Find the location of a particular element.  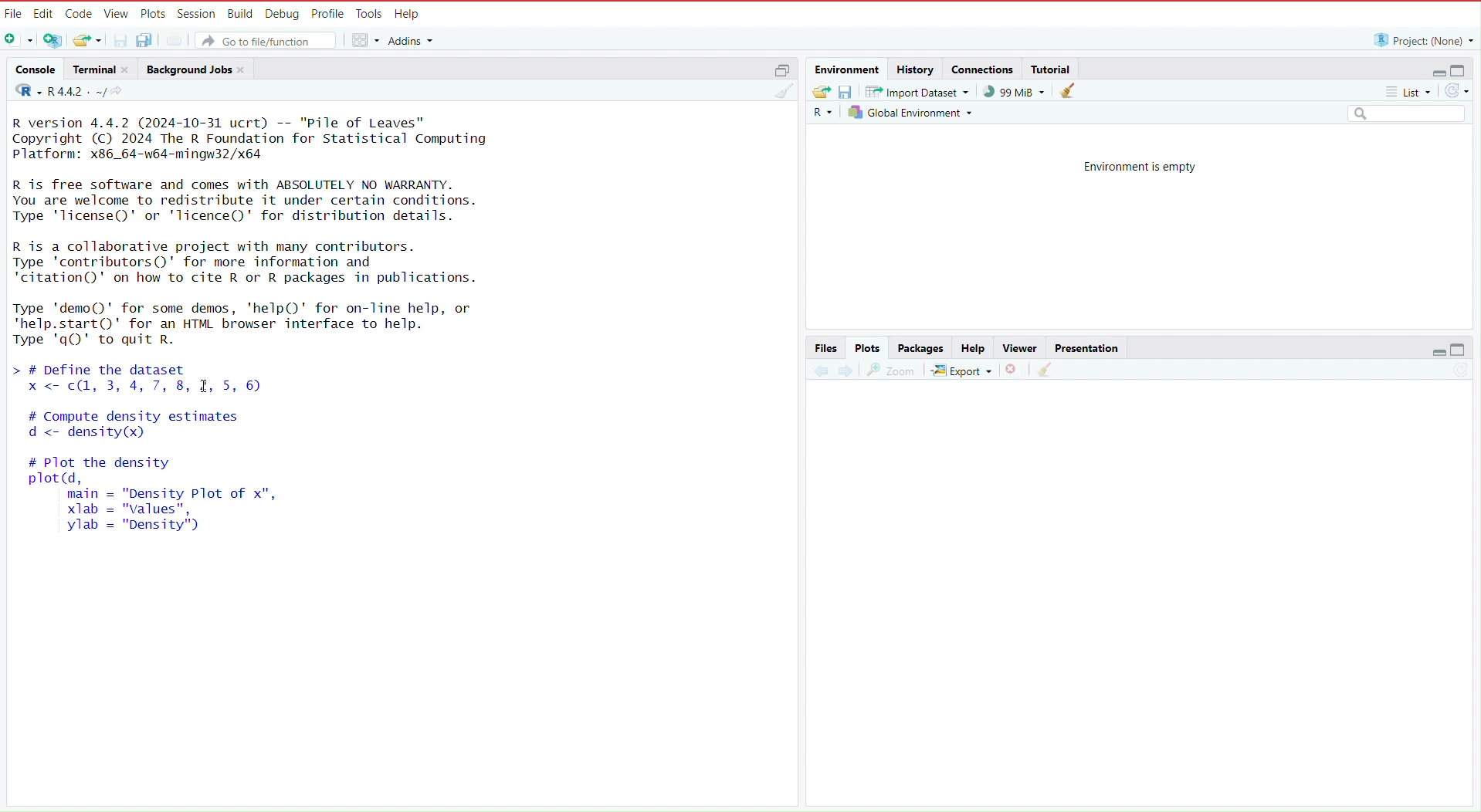

language select is located at coordinates (822, 115).